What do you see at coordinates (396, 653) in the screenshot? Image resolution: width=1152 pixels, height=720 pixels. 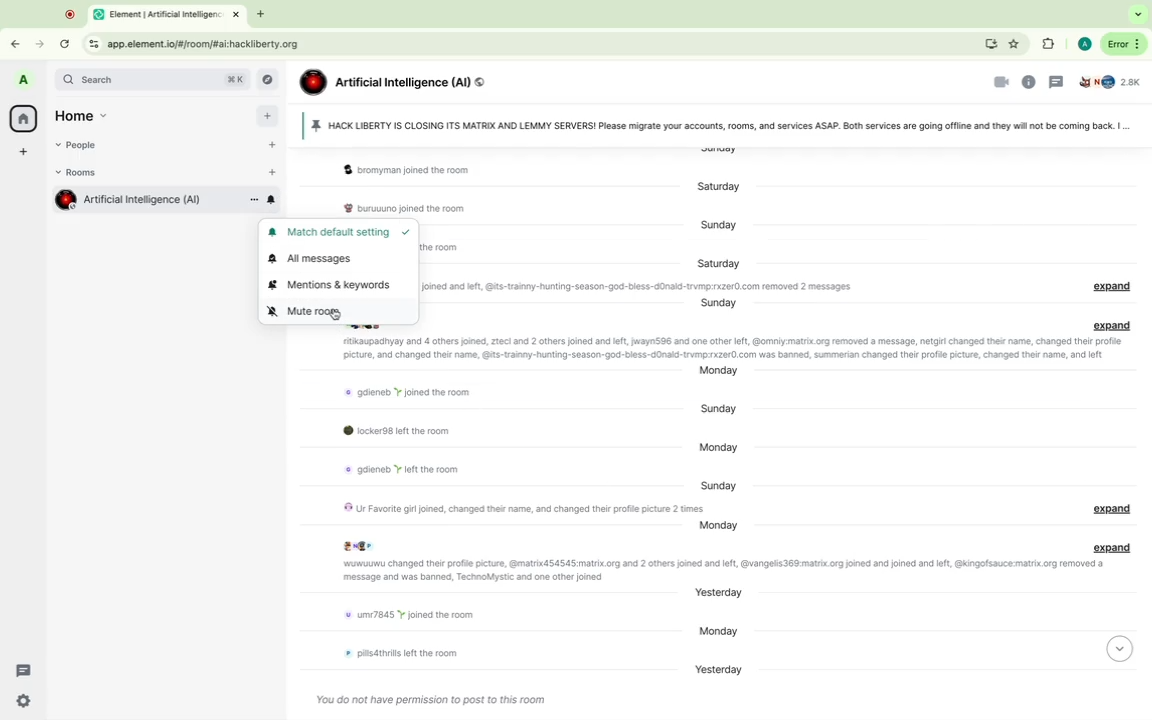 I see `Message` at bounding box center [396, 653].